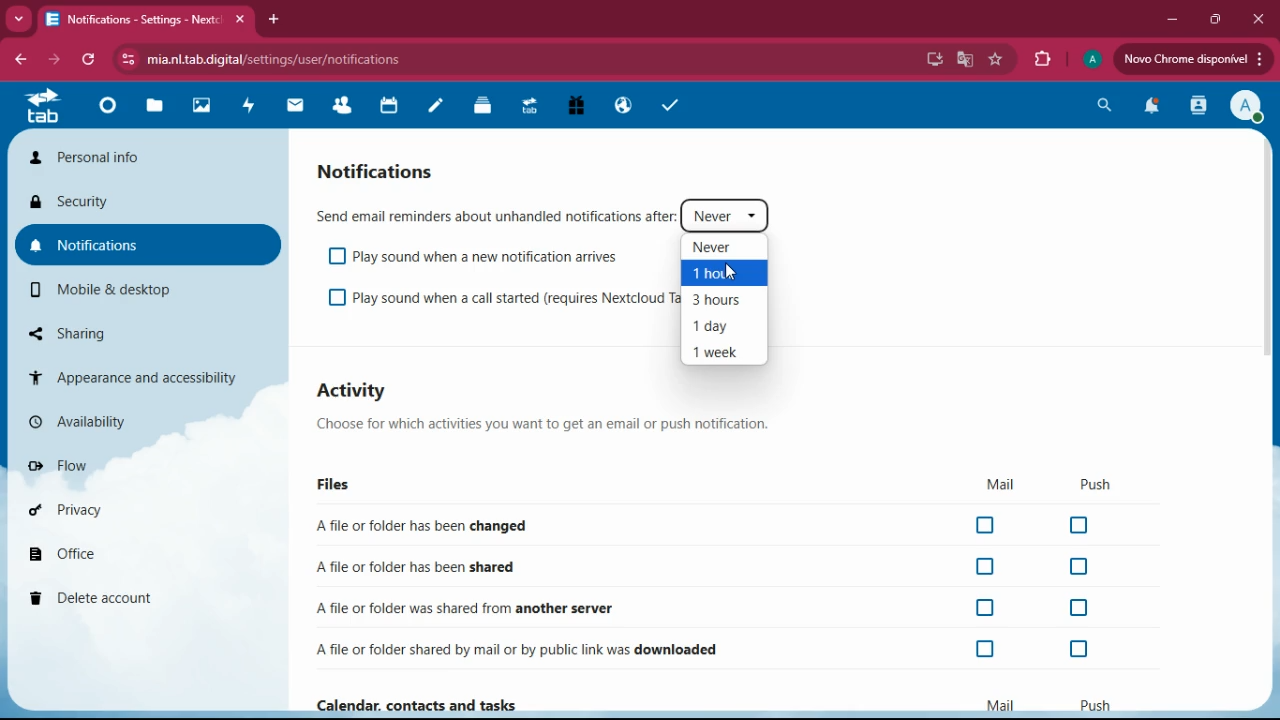  I want to click on scroll, so click(1270, 289).